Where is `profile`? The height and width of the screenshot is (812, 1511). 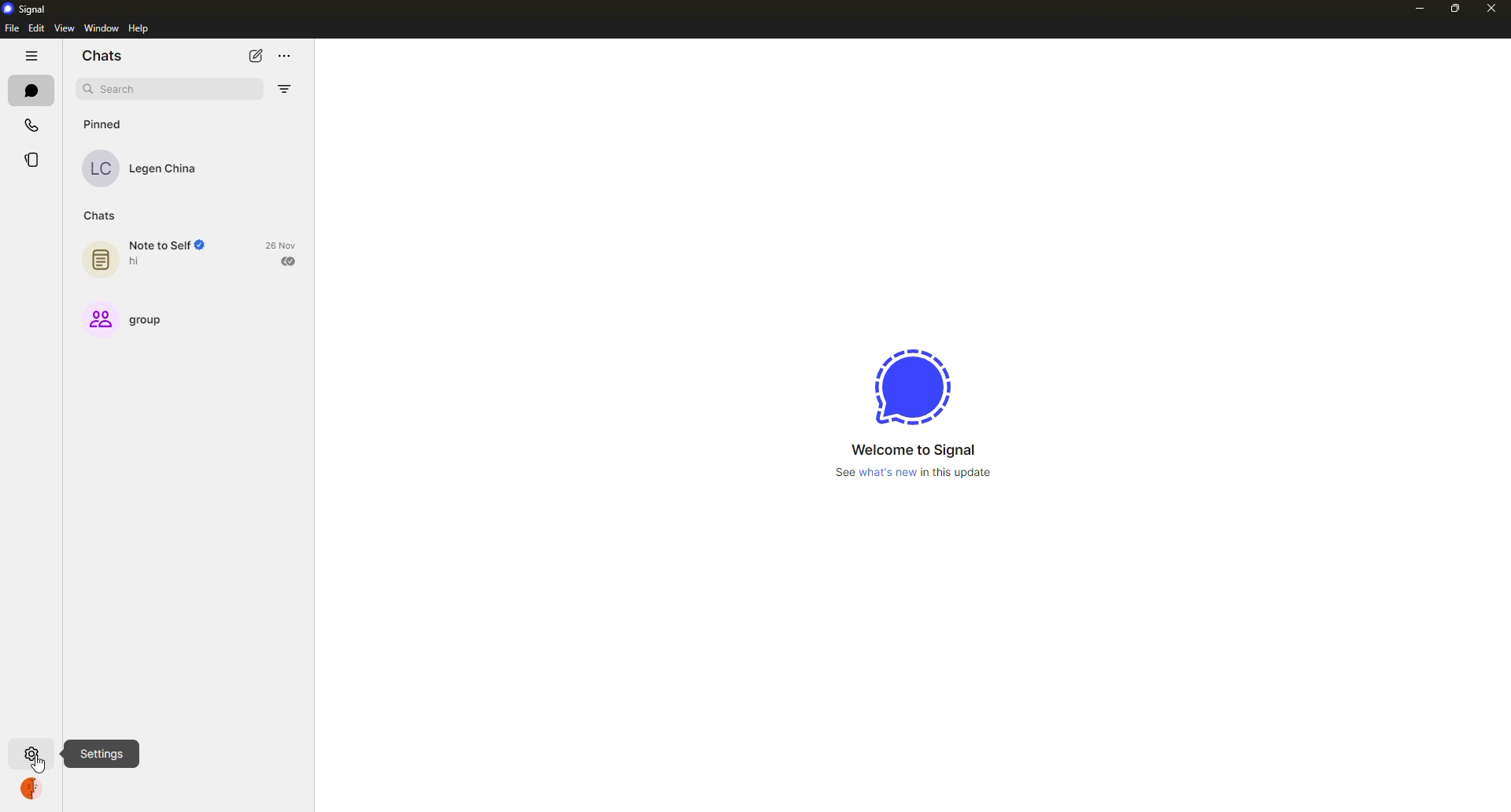
profile is located at coordinates (31, 789).